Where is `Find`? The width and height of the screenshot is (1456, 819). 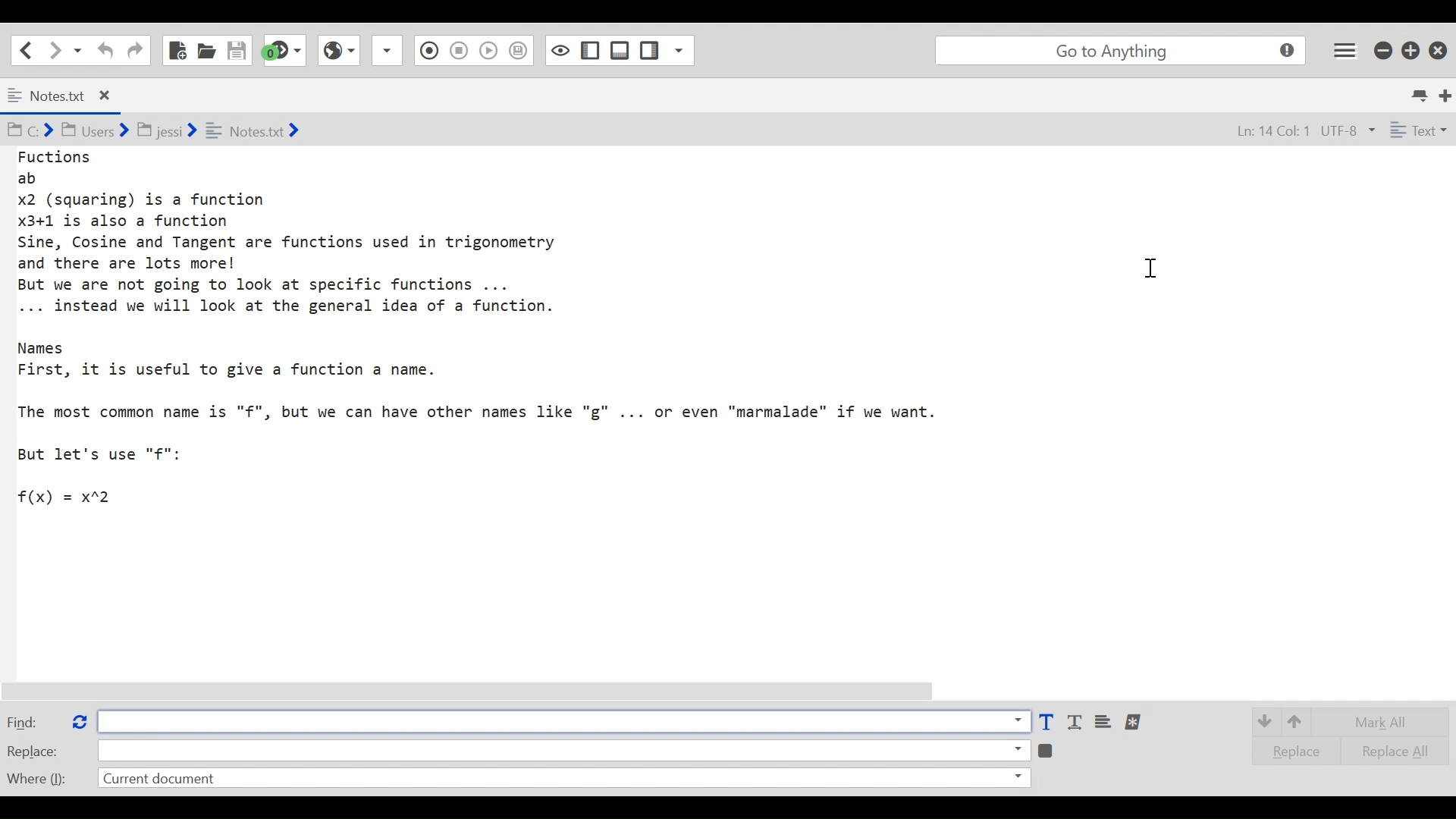 Find is located at coordinates (33, 721).